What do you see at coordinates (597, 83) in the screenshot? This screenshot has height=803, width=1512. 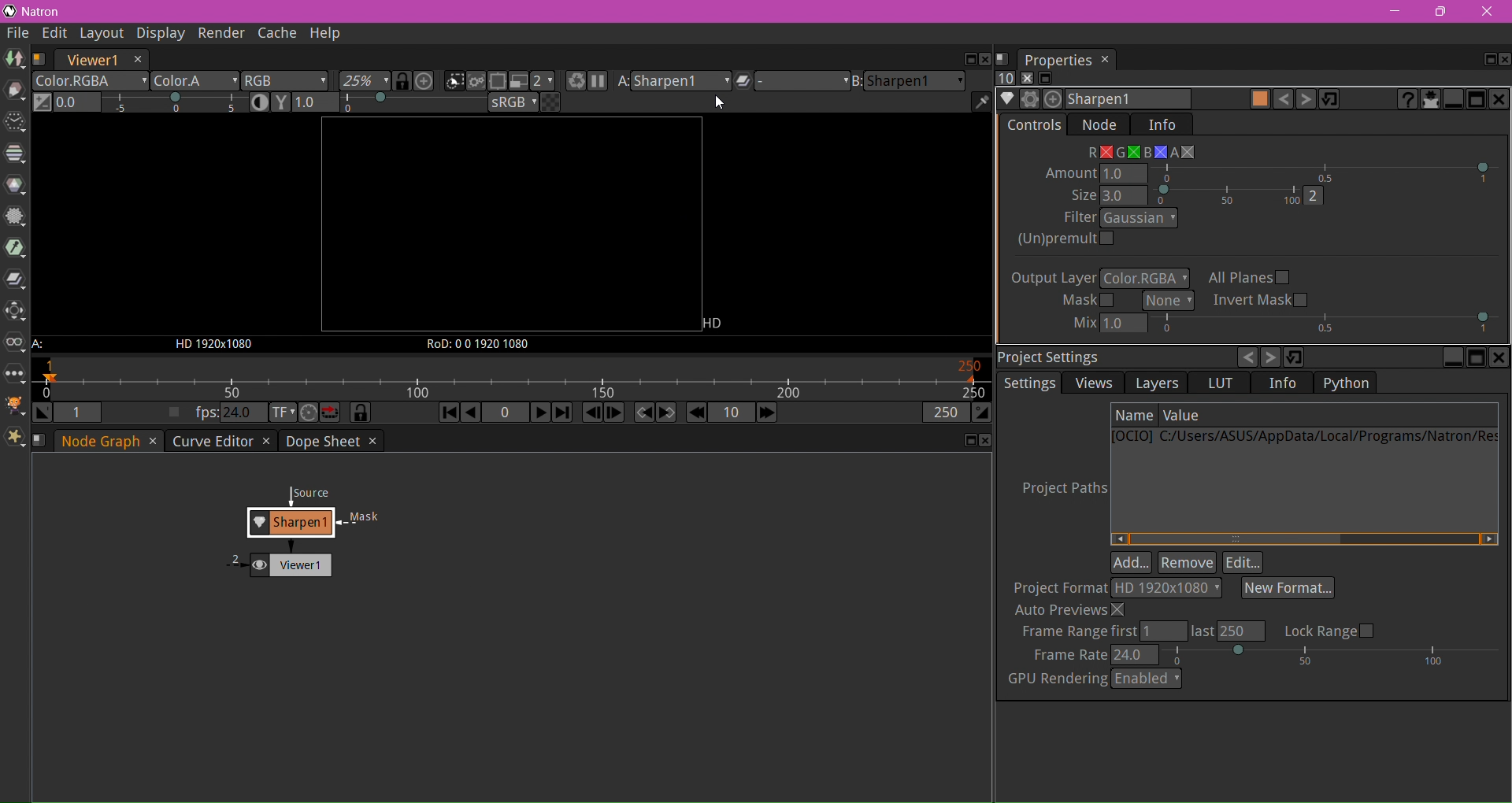 I see `Pause Updates` at bounding box center [597, 83].